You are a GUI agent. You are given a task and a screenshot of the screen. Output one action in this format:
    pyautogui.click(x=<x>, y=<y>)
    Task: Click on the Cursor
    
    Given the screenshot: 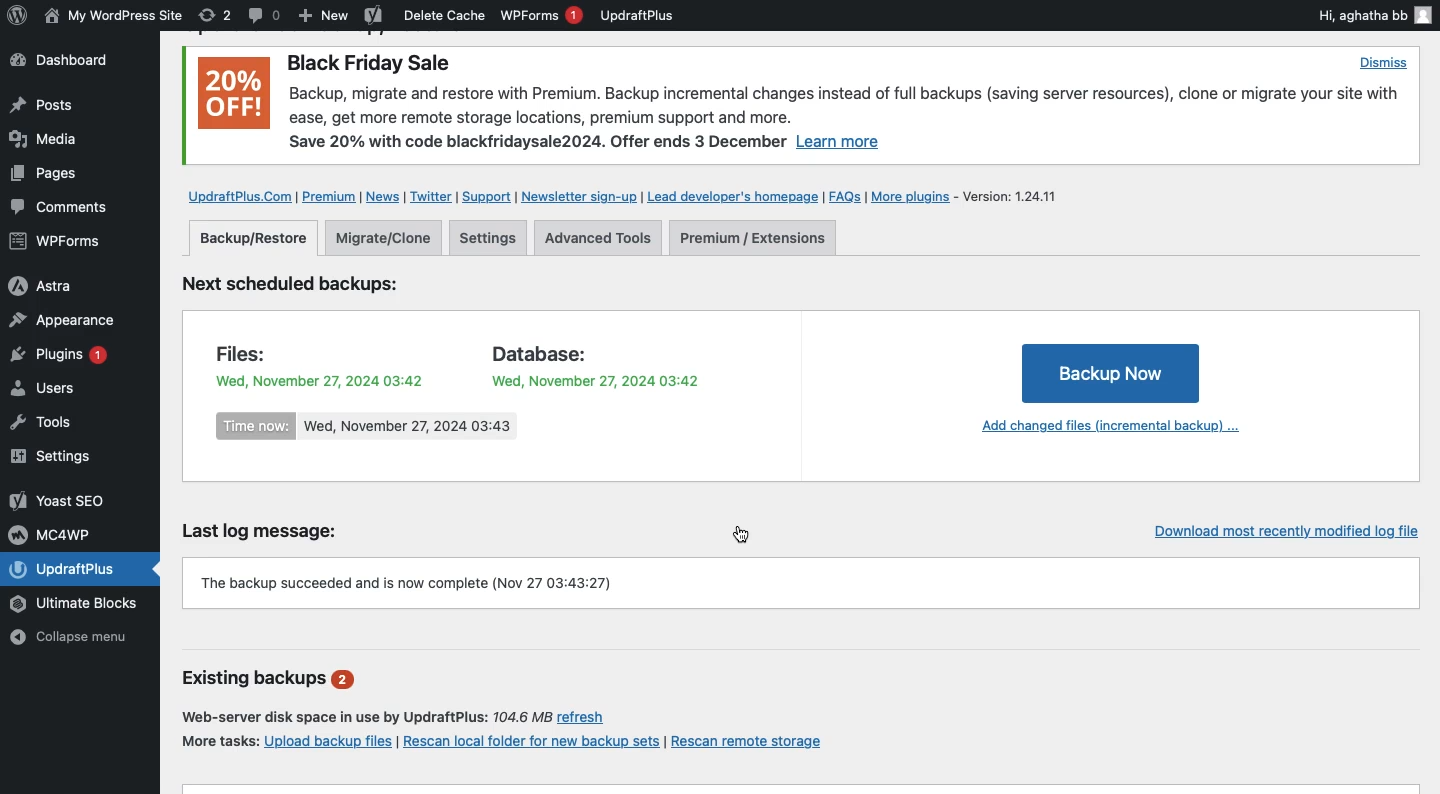 What is the action you would take?
    pyautogui.click(x=742, y=533)
    